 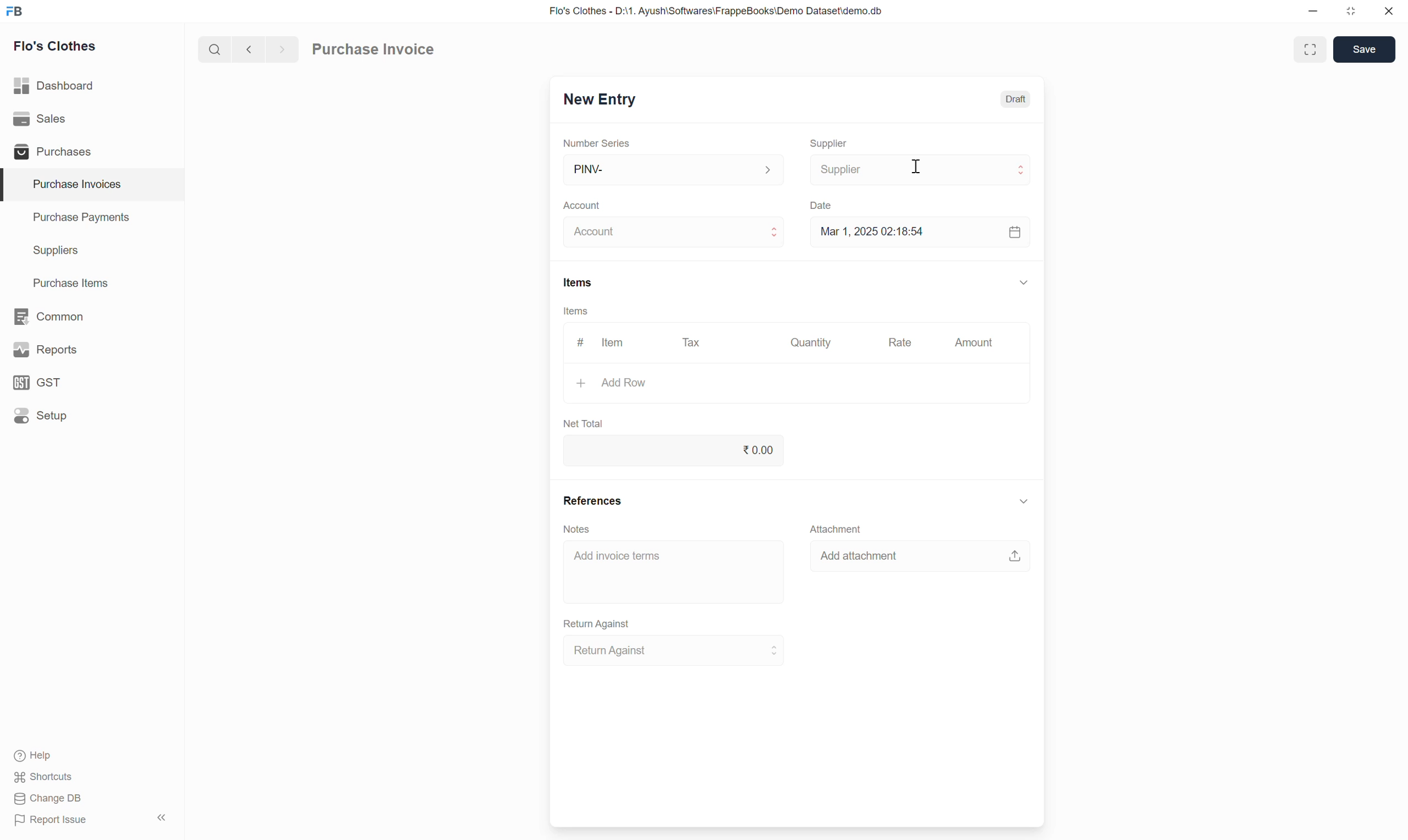 I want to click on Save, so click(x=1364, y=49).